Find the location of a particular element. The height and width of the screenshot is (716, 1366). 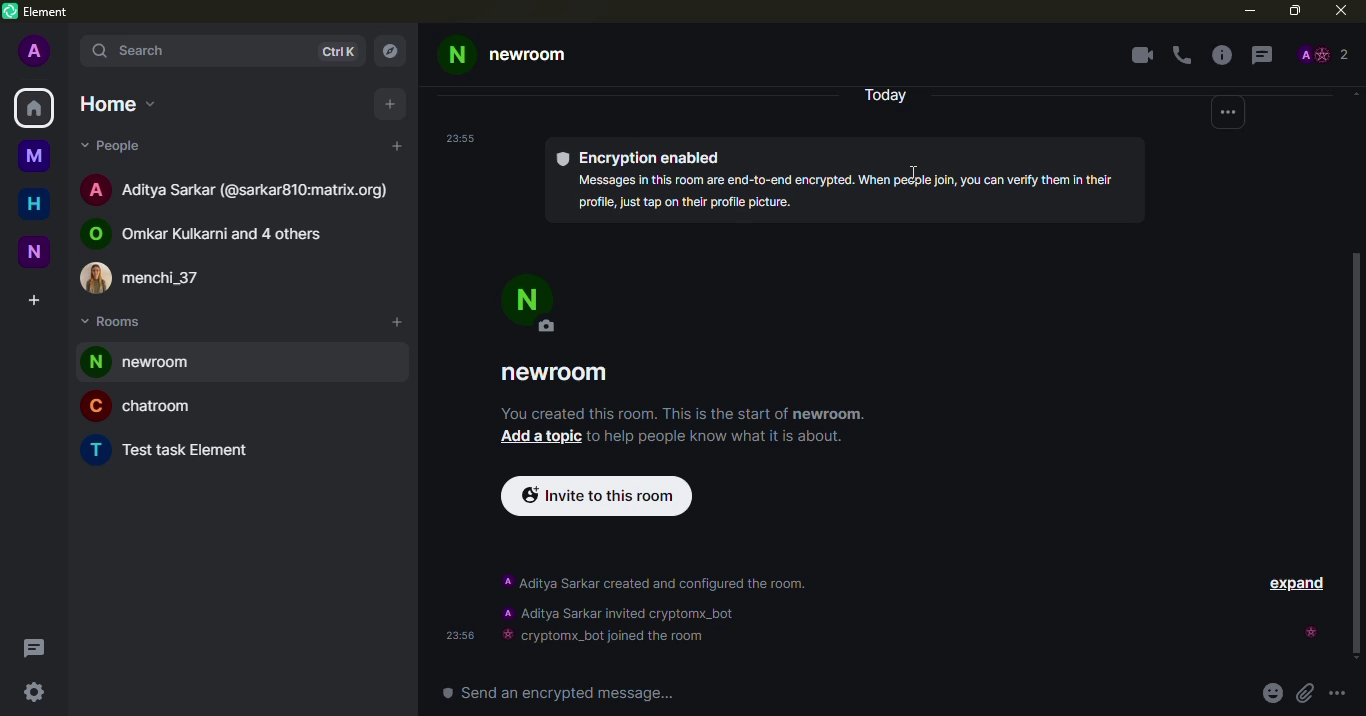

add is located at coordinates (397, 321).